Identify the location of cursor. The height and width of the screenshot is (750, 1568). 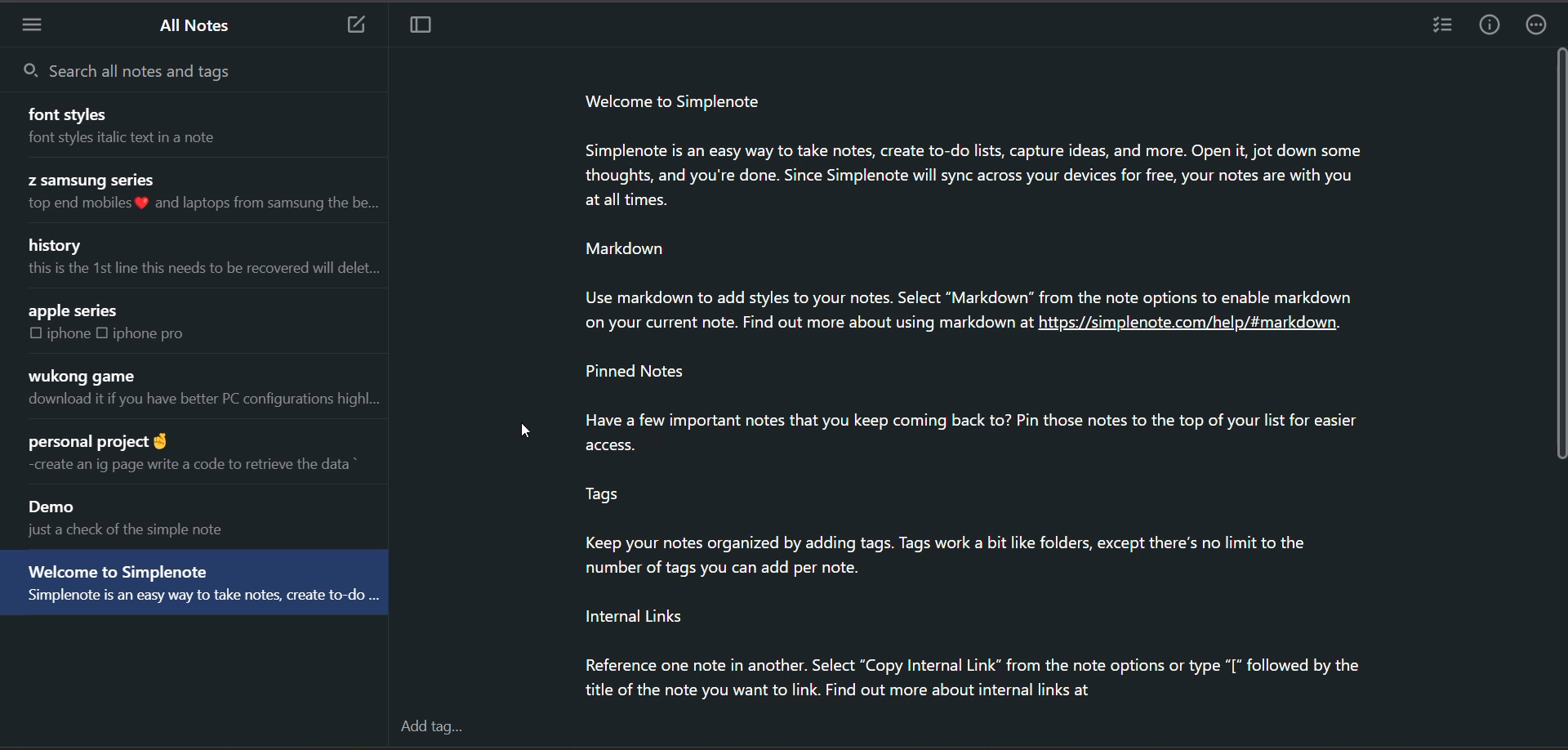
(528, 431).